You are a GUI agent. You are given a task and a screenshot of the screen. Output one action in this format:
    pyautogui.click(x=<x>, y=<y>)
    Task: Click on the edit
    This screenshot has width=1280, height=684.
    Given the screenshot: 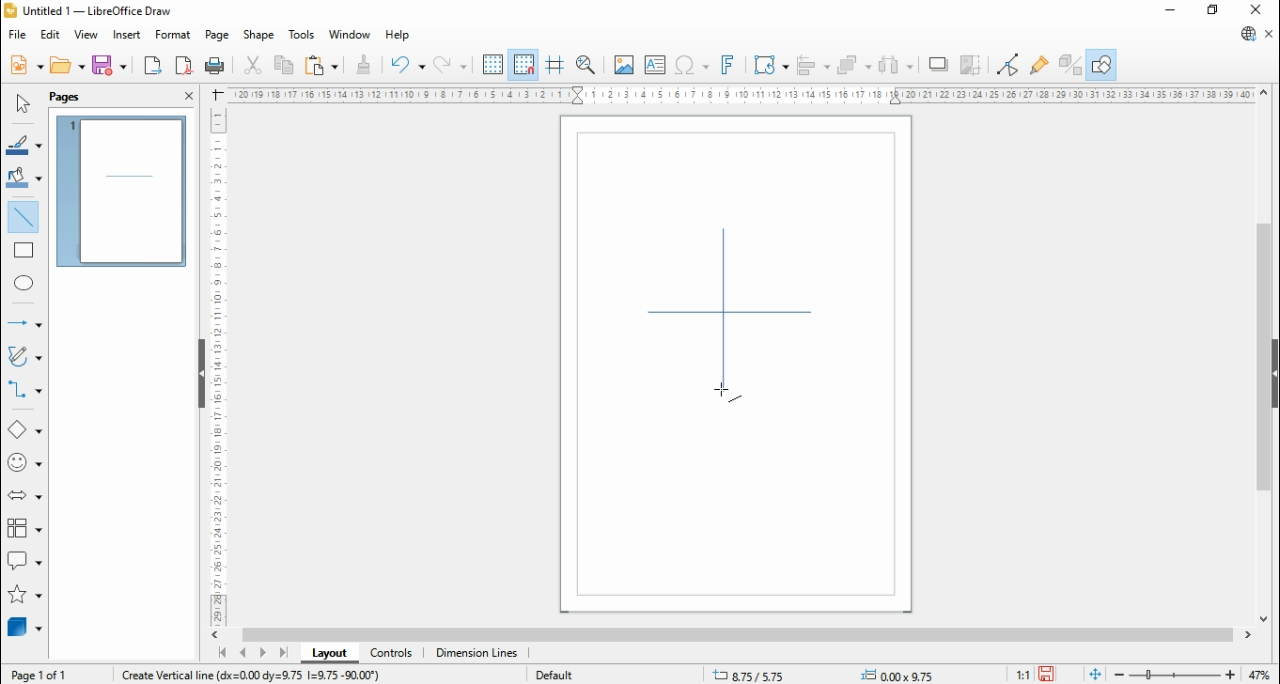 What is the action you would take?
    pyautogui.click(x=50, y=36)
    